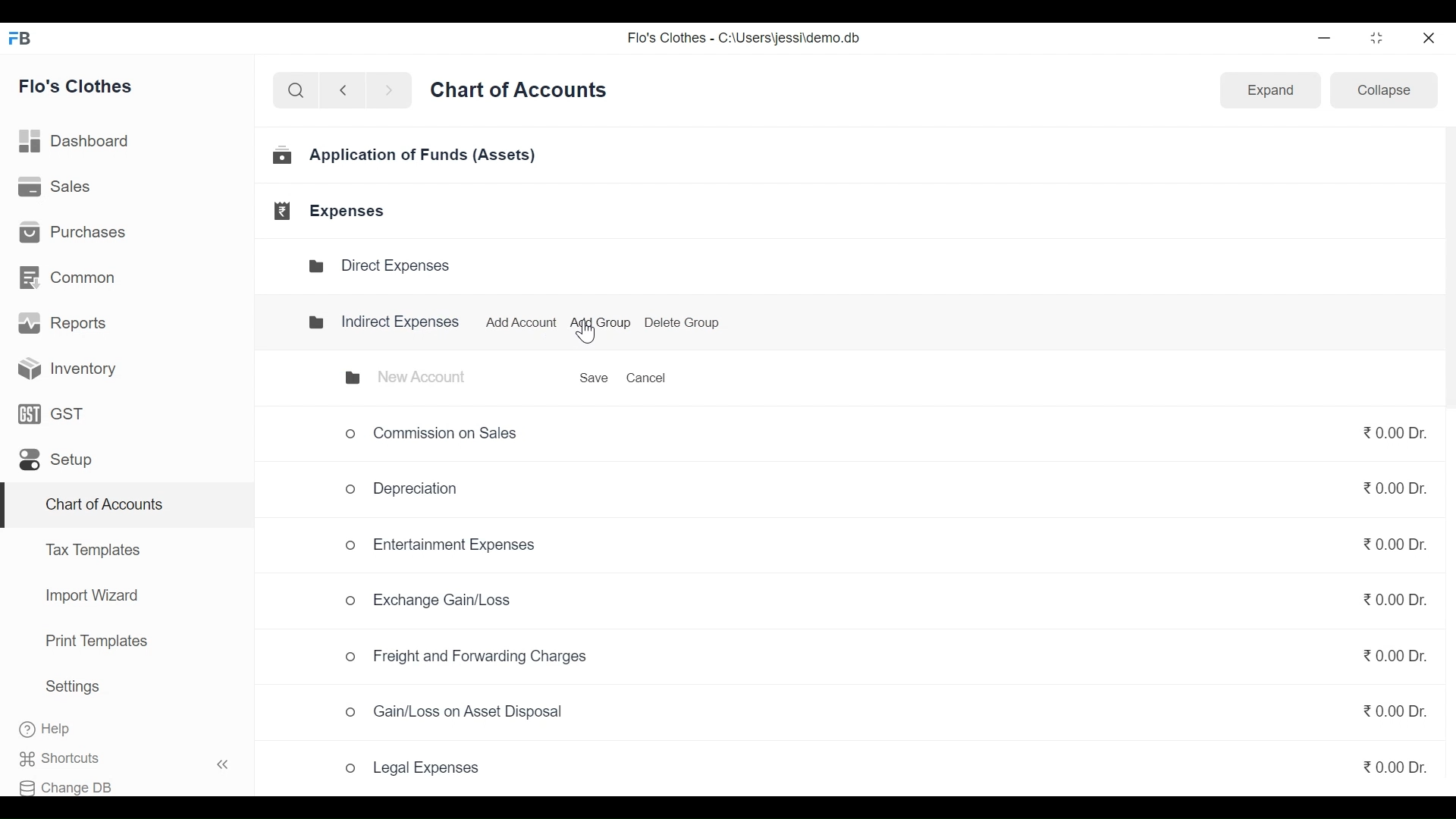  Describe the element at coordinates (52, 416) in the screenshot. I see `GST` at that location.